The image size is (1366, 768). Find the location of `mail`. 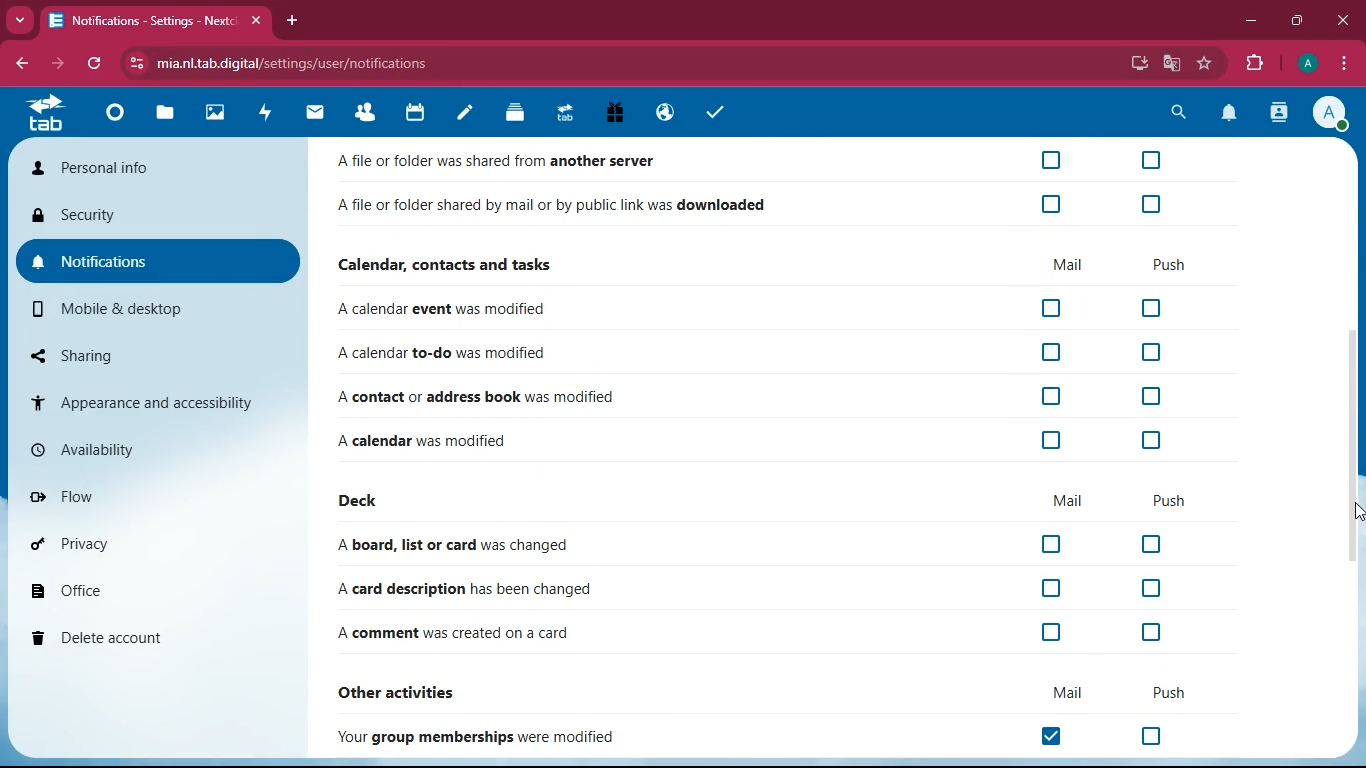

mail is located at coordinates (1069, 263).